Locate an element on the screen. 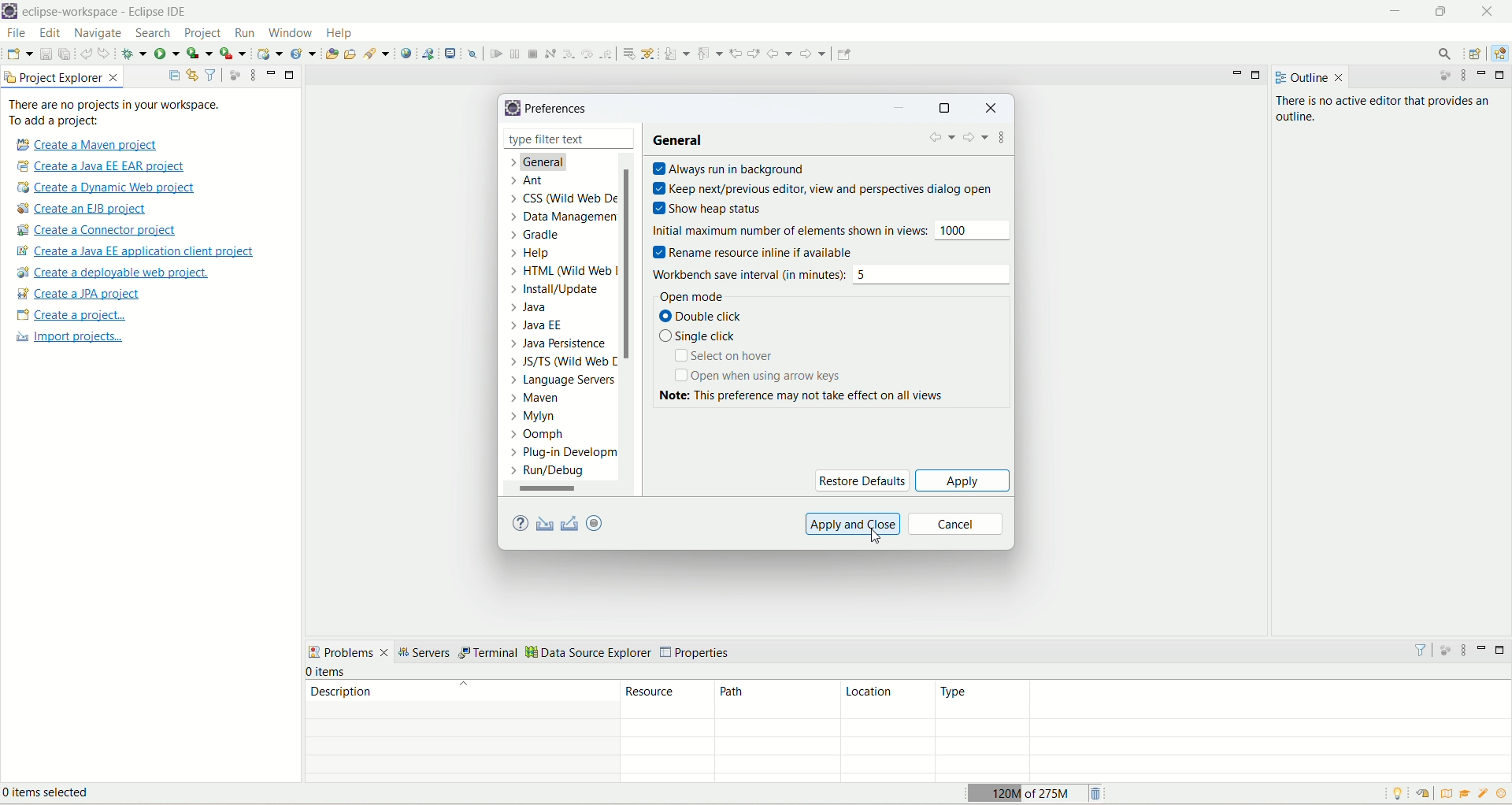 The image size is (1512, 805). rename resource inline if available is located at coordinates (764, 252).